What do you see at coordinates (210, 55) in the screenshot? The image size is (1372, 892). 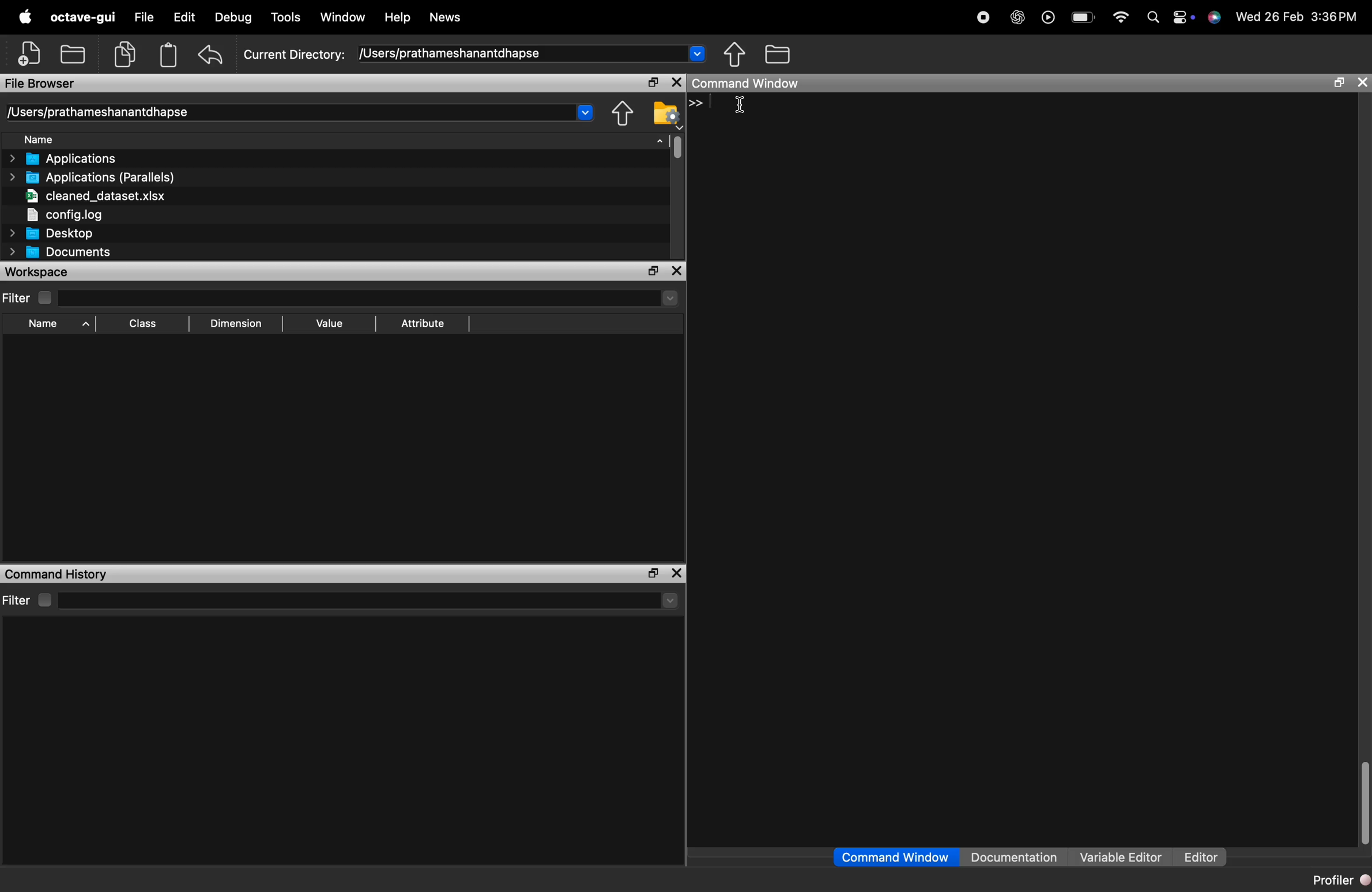 I see `undo` at bounding box center [210, 55].